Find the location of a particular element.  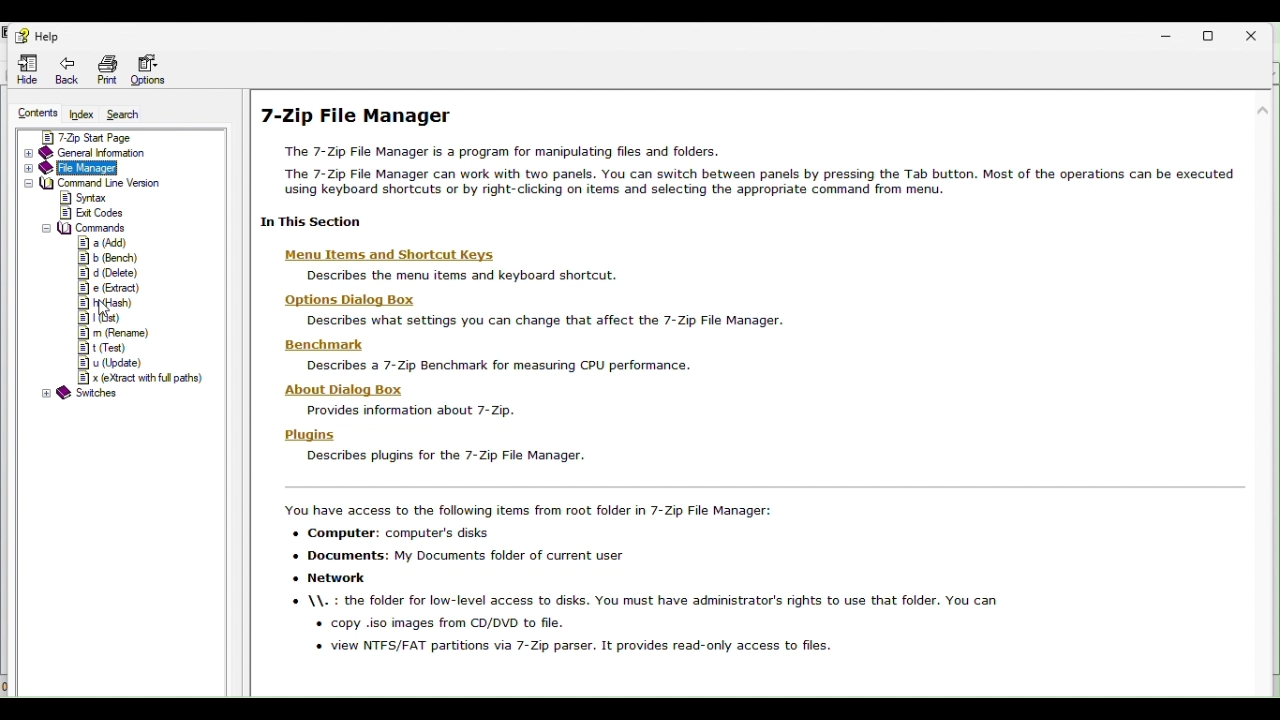

a(add) is located at coordinates (102, 243).